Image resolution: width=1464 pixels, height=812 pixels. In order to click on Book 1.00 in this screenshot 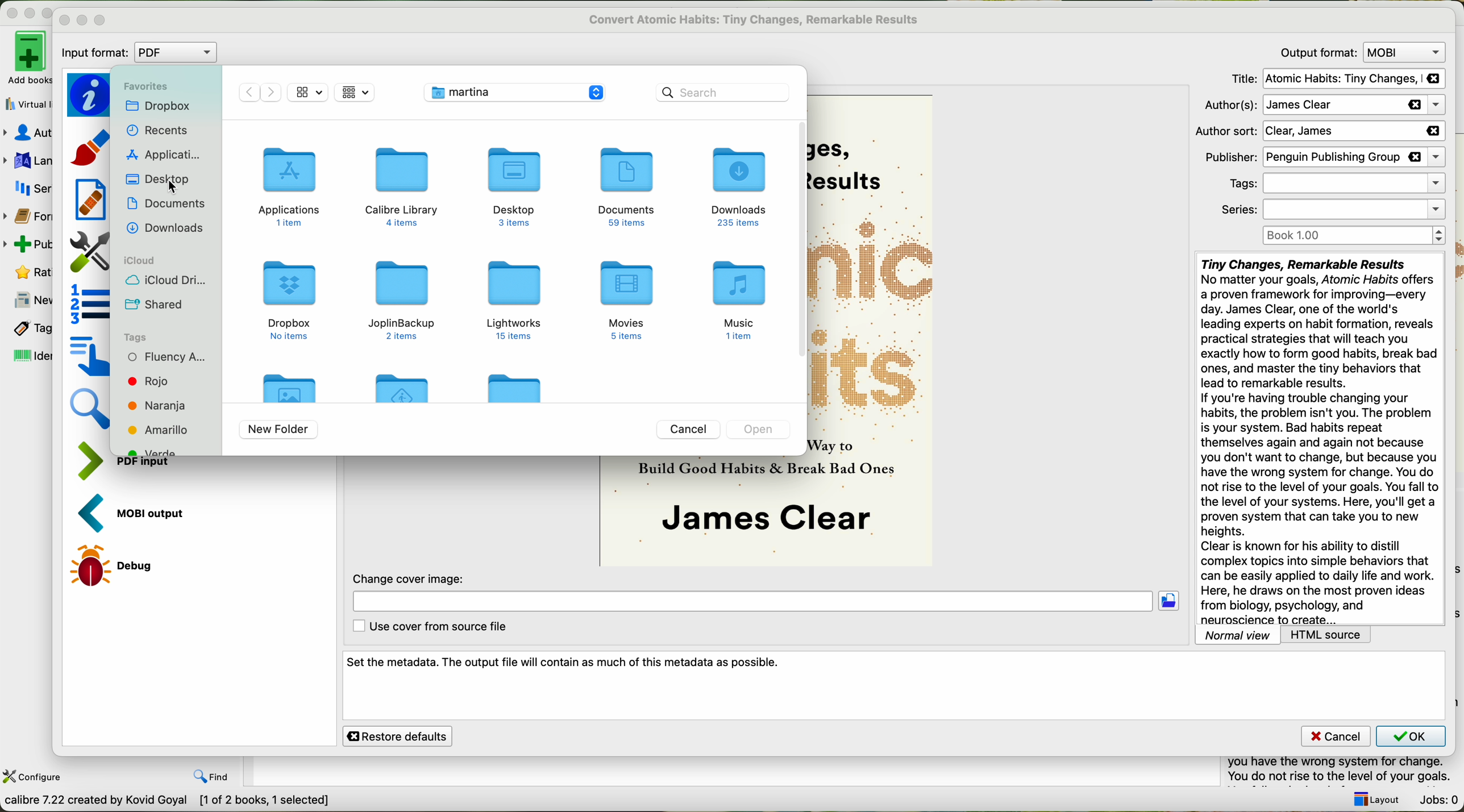, I will do `click(1354, 236)`.